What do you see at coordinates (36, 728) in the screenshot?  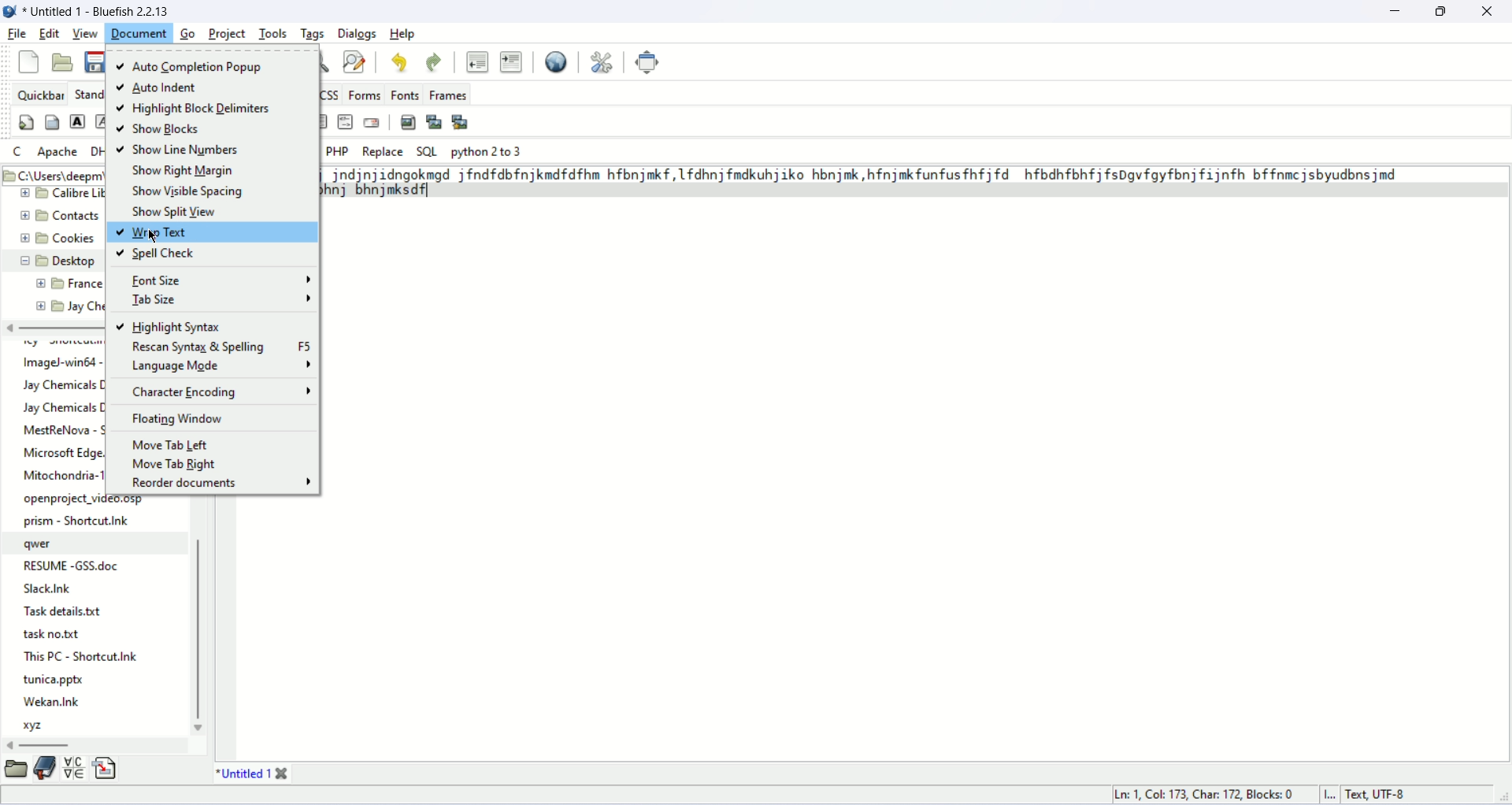 I see `xyz` at bounding box center [36, 728].